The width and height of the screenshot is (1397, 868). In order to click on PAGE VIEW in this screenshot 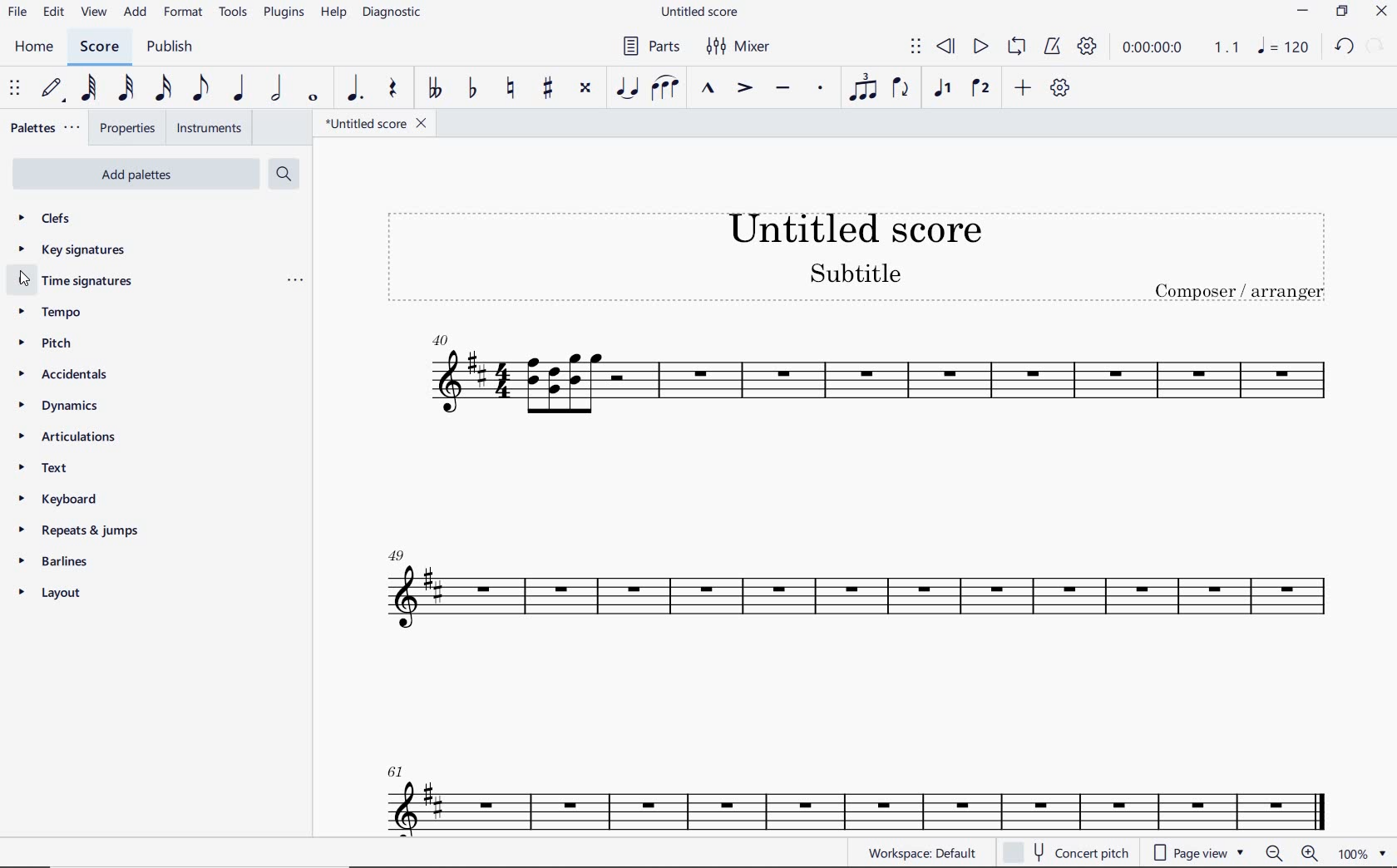, I will do `click(1196, 854)`.